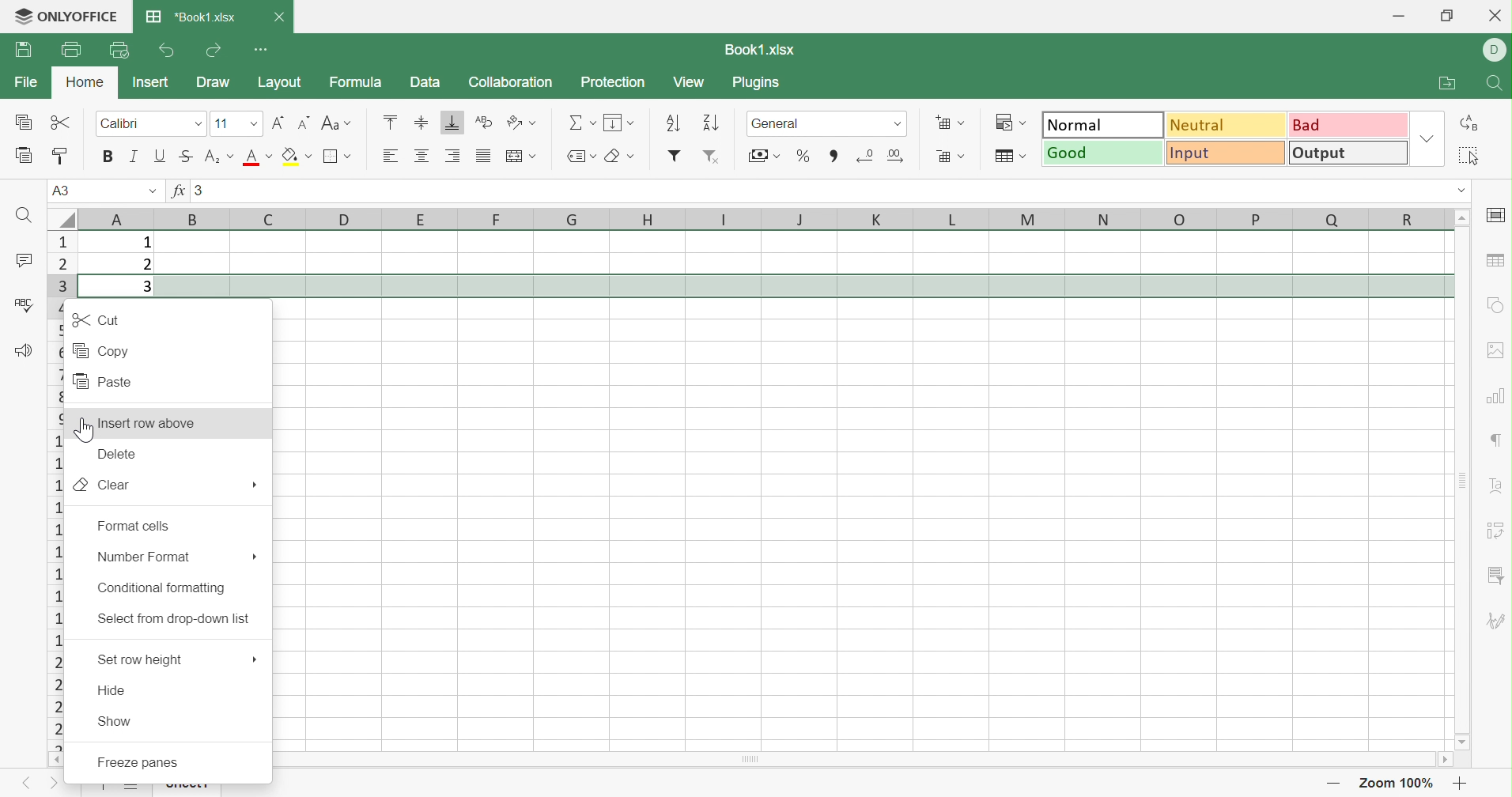 Image resolution: width=1512 pixels, height=797 pixels. Describe the element at coordinates (1496, 529) in the screenshot. I see `Pivot Table settings` at that location.